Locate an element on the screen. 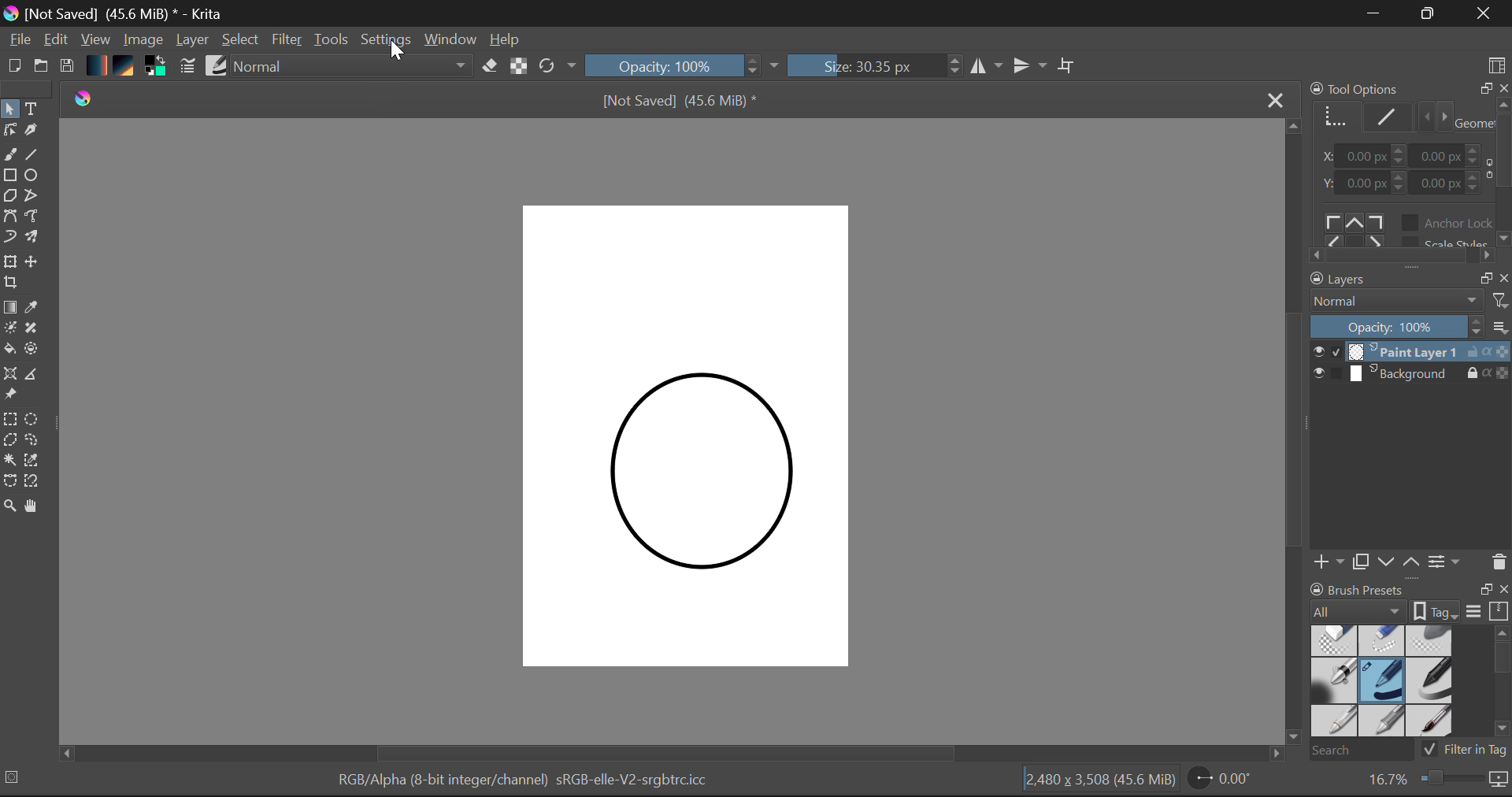 The image size is (1512, 797). Document Dimensions is located at coordinates (1101, 783).